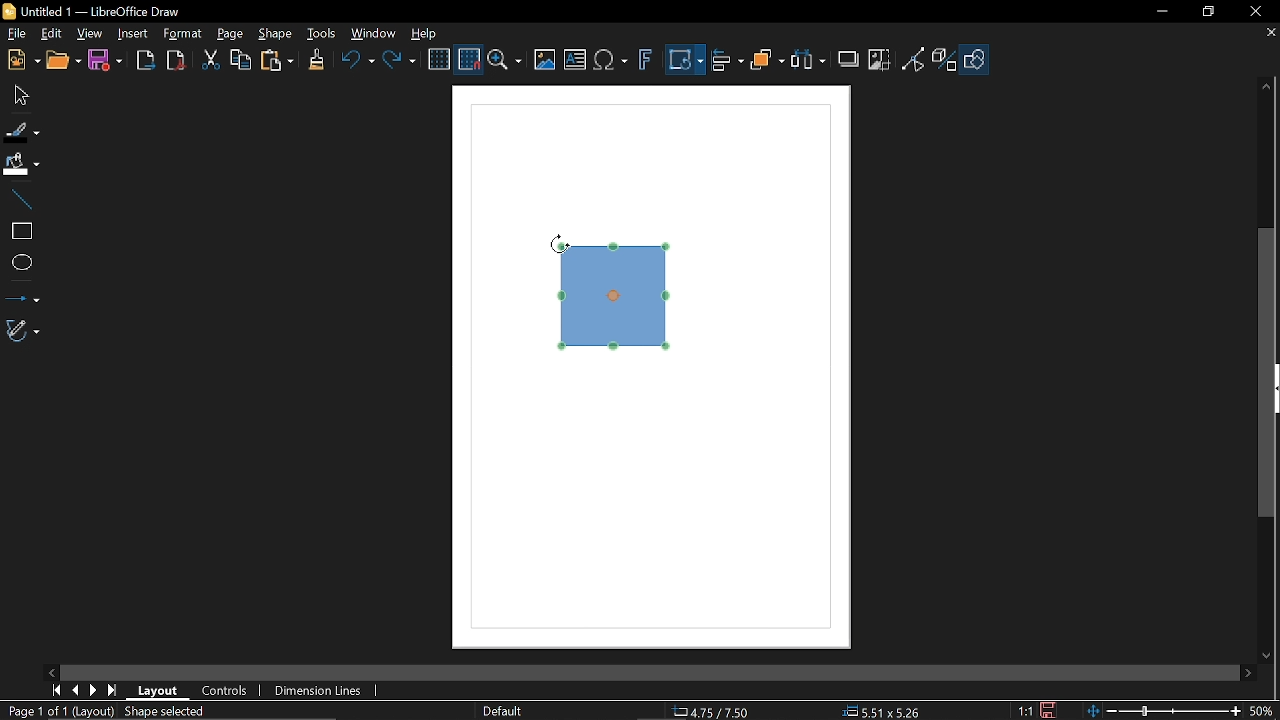 This screenshot has height=720, width=1280. What do you see at coordinates (767, 62) in the screenshot?
I see `Arrange` at bounding box center [767, 62].